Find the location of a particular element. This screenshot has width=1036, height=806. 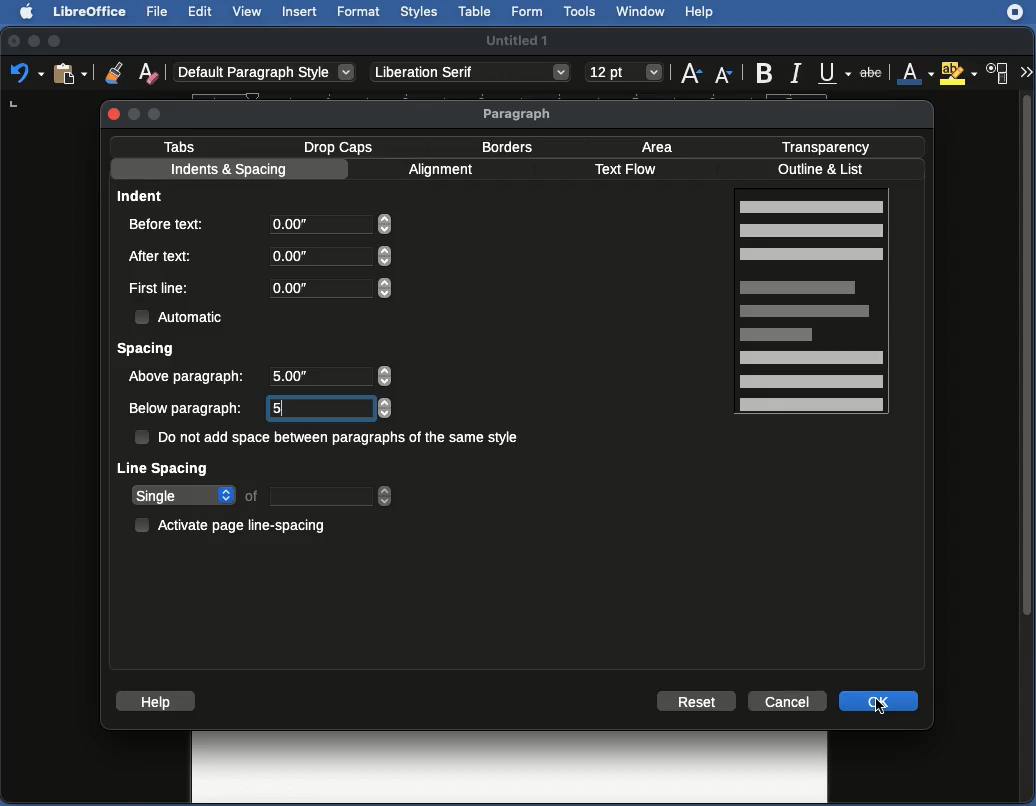

Paragraph is located at coordinates (519, 114).